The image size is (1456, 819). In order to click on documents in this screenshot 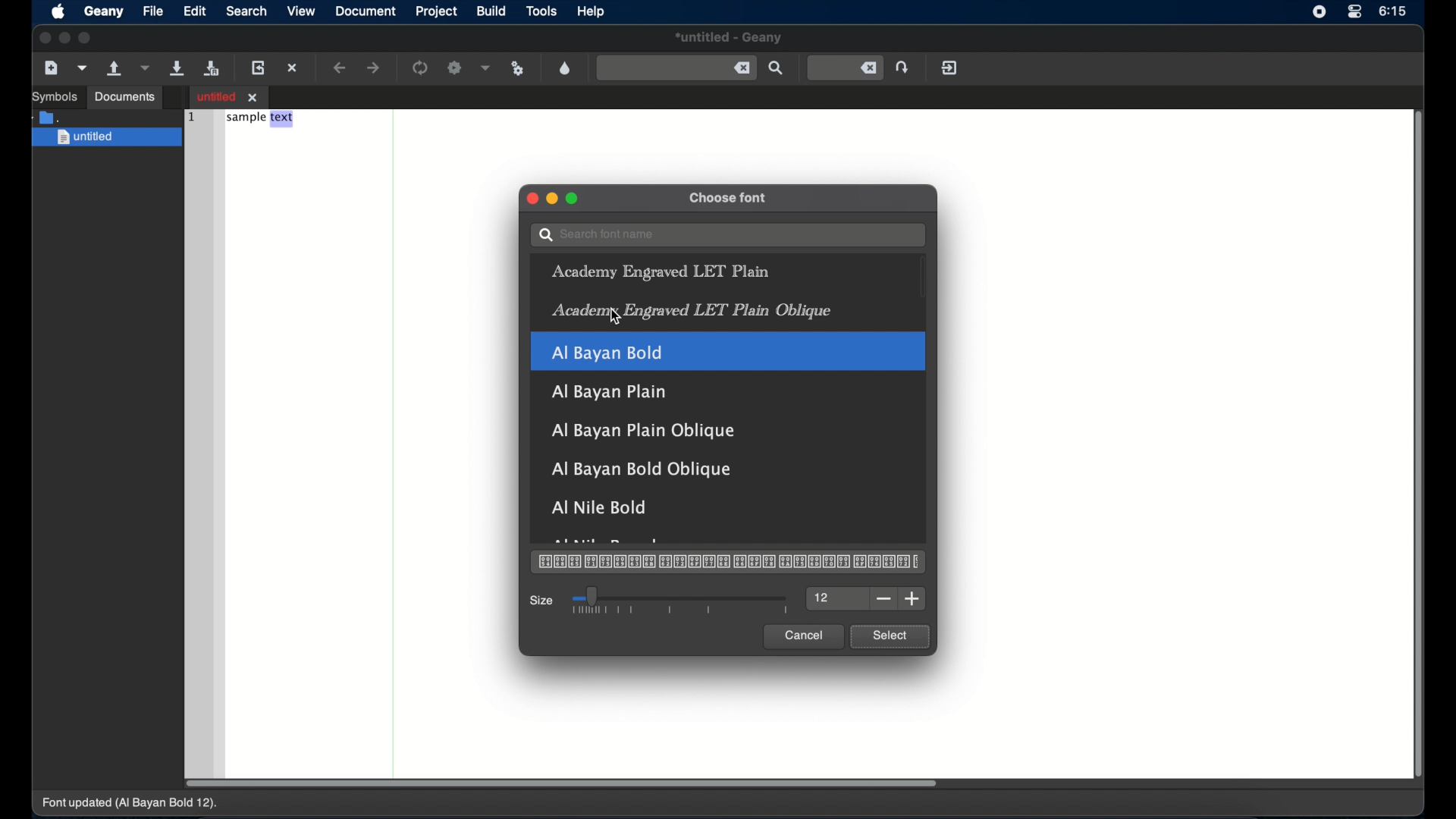, I will do `click(126, 97)`.